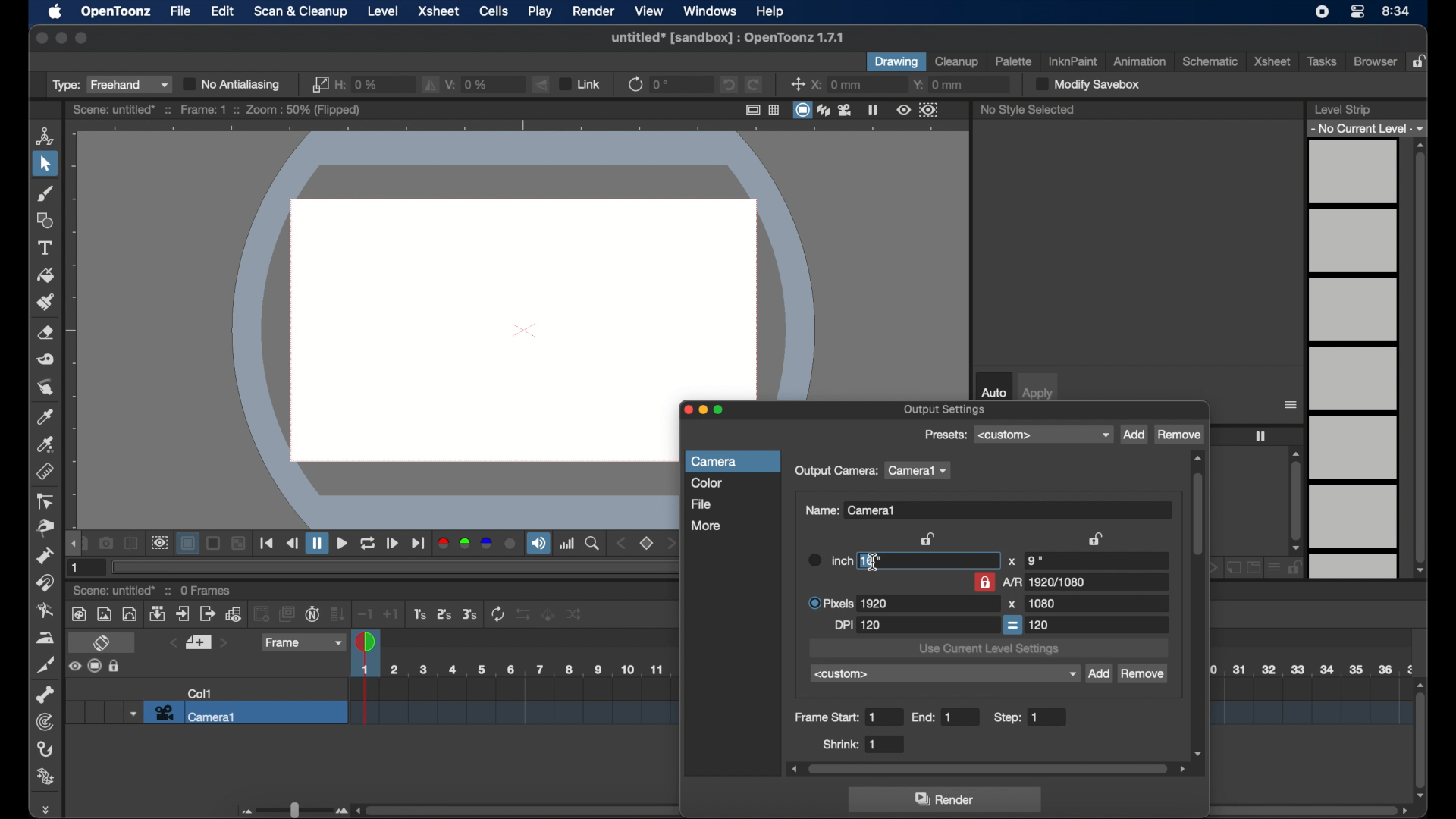 The width and height of the screenshot is (1456, 819). I want to click on play, so click(541, 12).